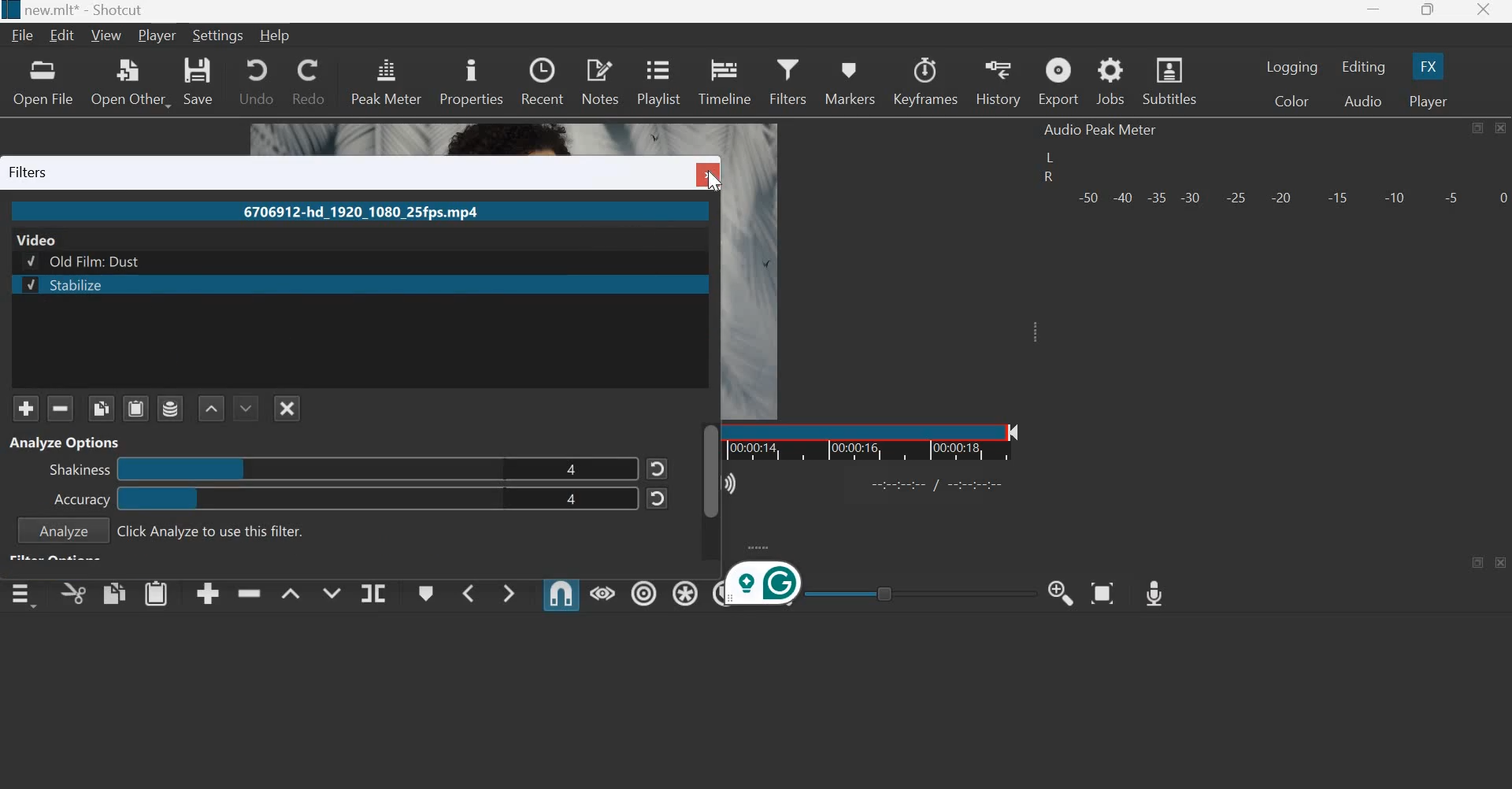  Describe the element at coordinates (543, 81) in the screenshot. I see `Recent` at that location.